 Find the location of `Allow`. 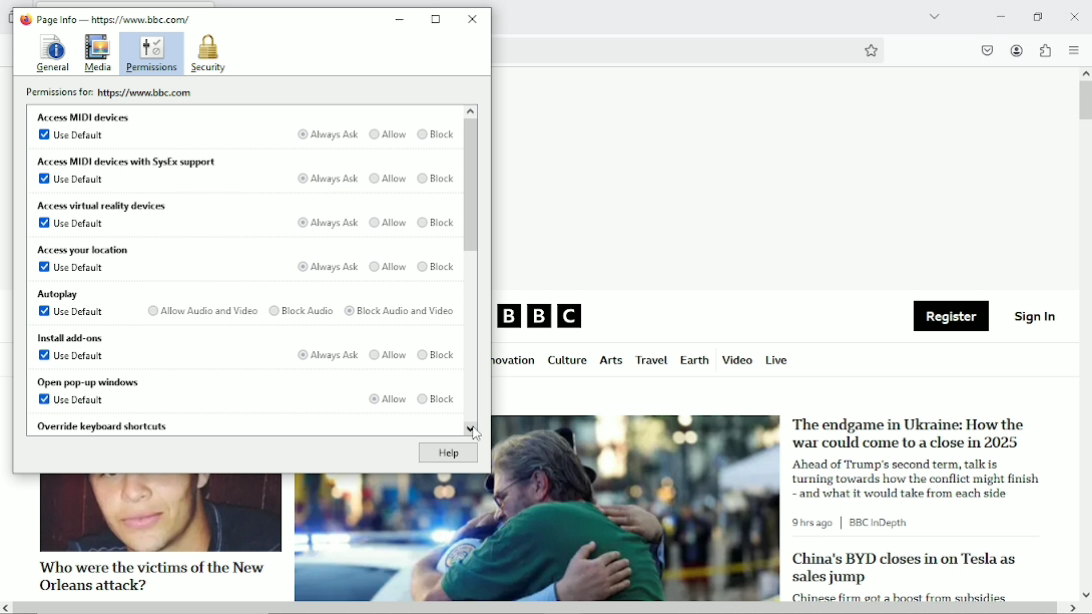

Allow is located at coordinates (387, 355).